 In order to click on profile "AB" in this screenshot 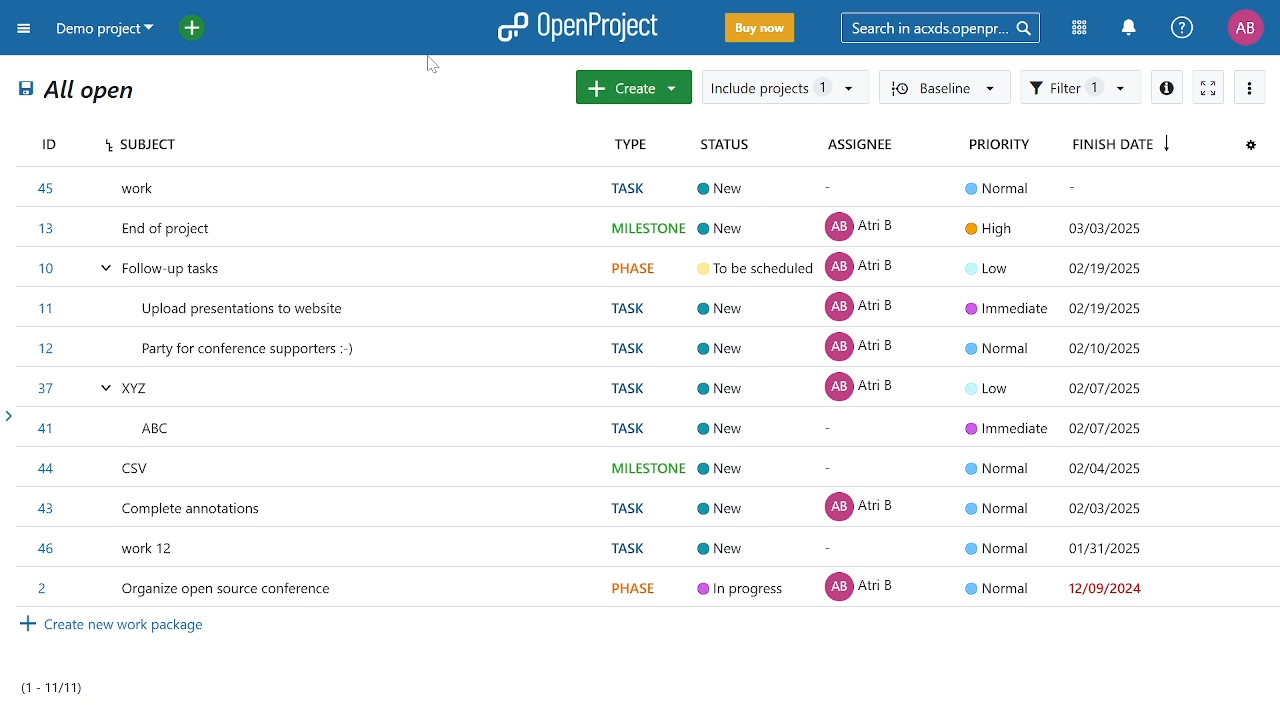, I will do `click(1246, 28)`.